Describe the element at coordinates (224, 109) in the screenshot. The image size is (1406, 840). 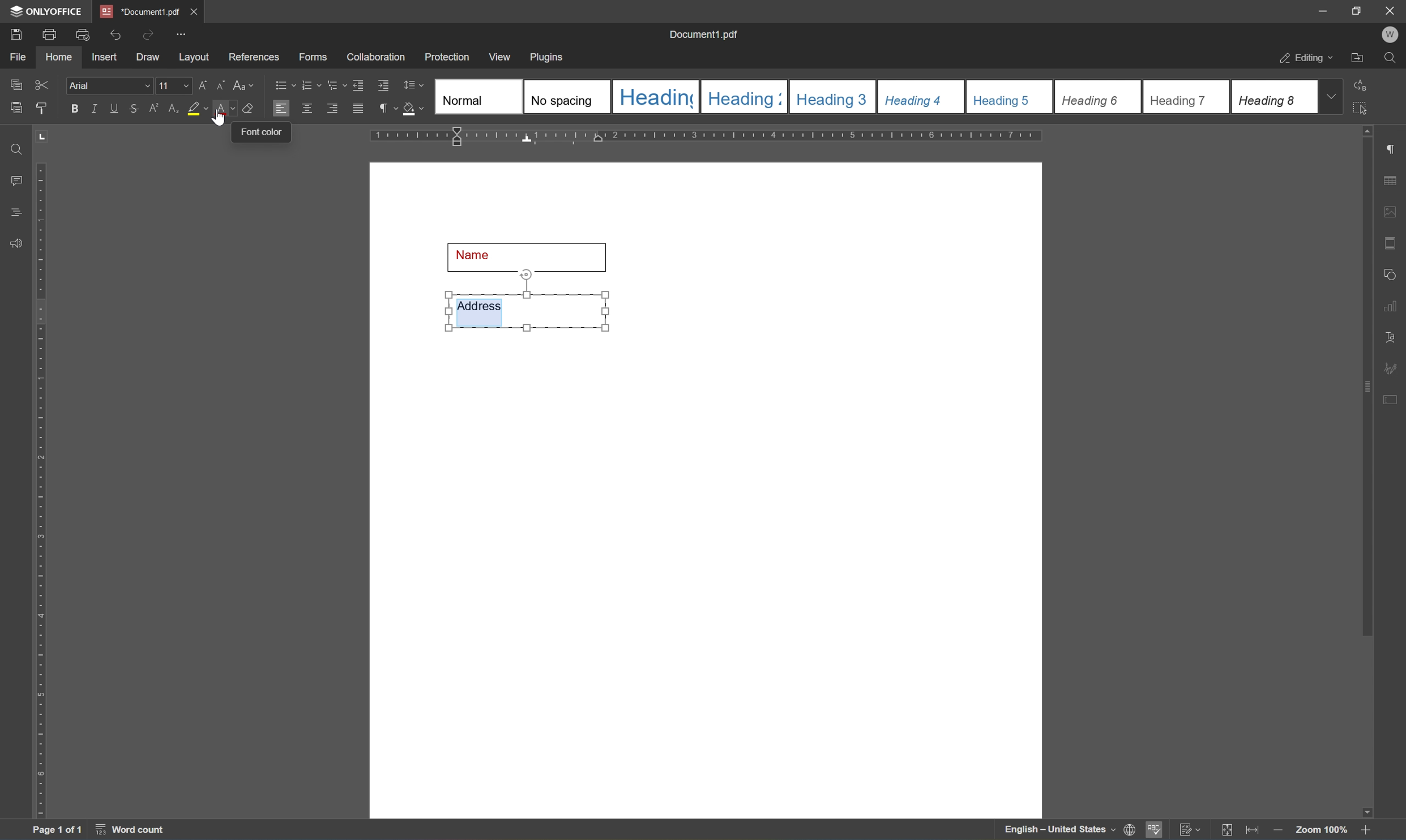
I see `font color` at that location.